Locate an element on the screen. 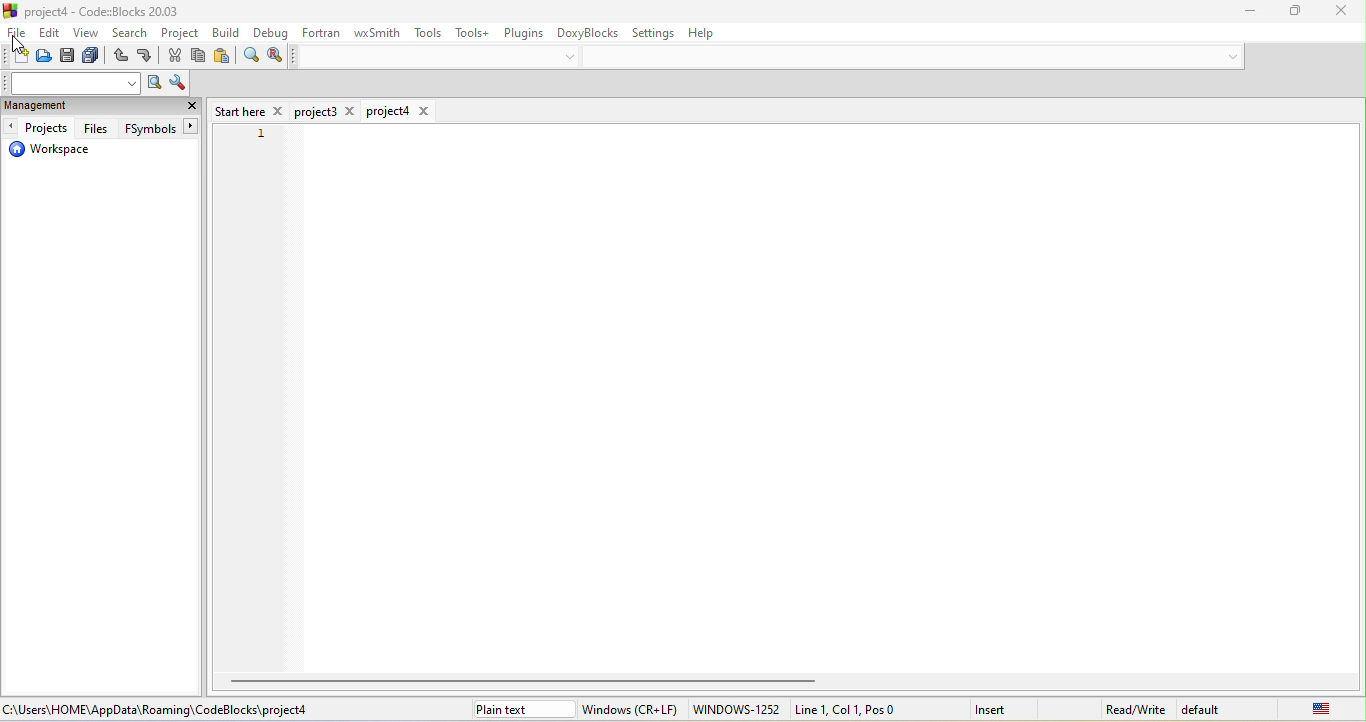 This screenshot has width=1366, height=722. project4 is located at coordinates (399, 111).